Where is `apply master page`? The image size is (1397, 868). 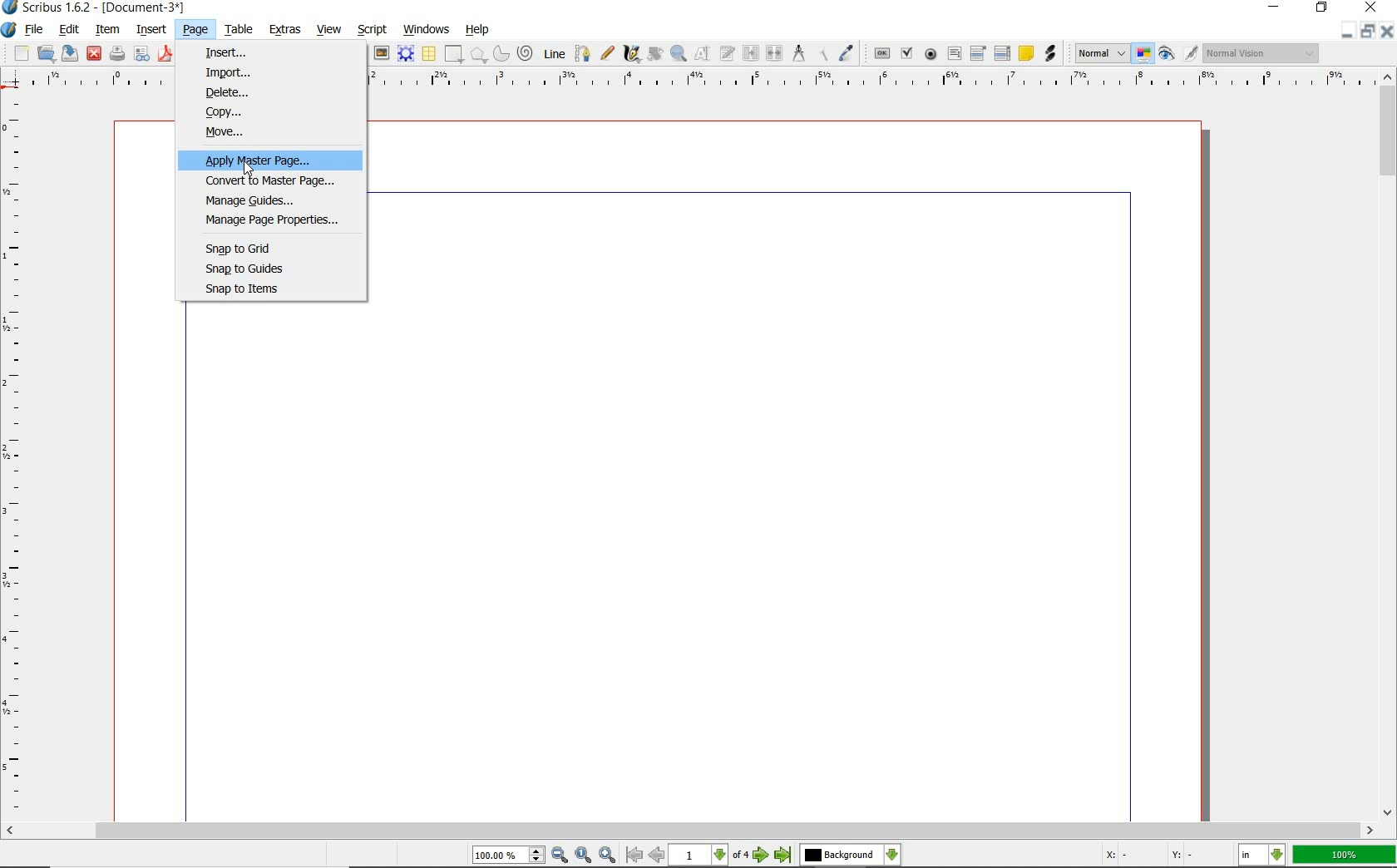
apply master page is located at coordinates (276, 160).